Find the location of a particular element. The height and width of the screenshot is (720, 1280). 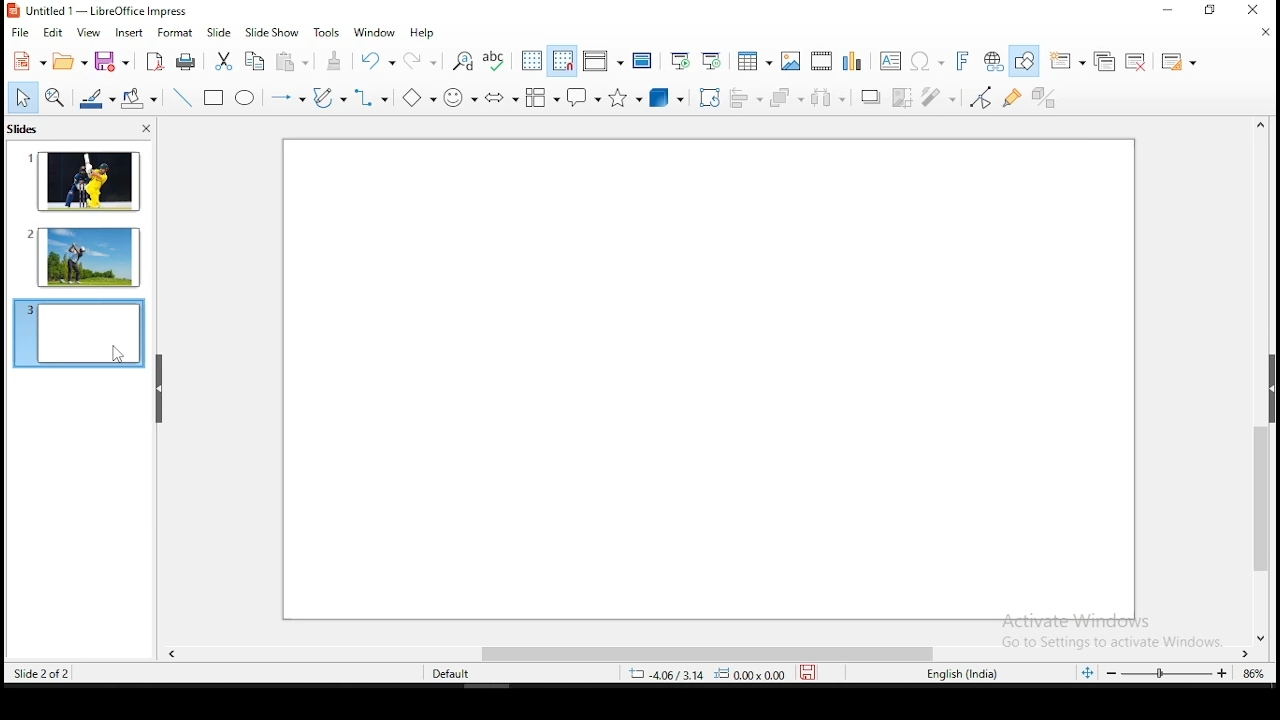

zoom and pan is located at coordinates (56, 97).